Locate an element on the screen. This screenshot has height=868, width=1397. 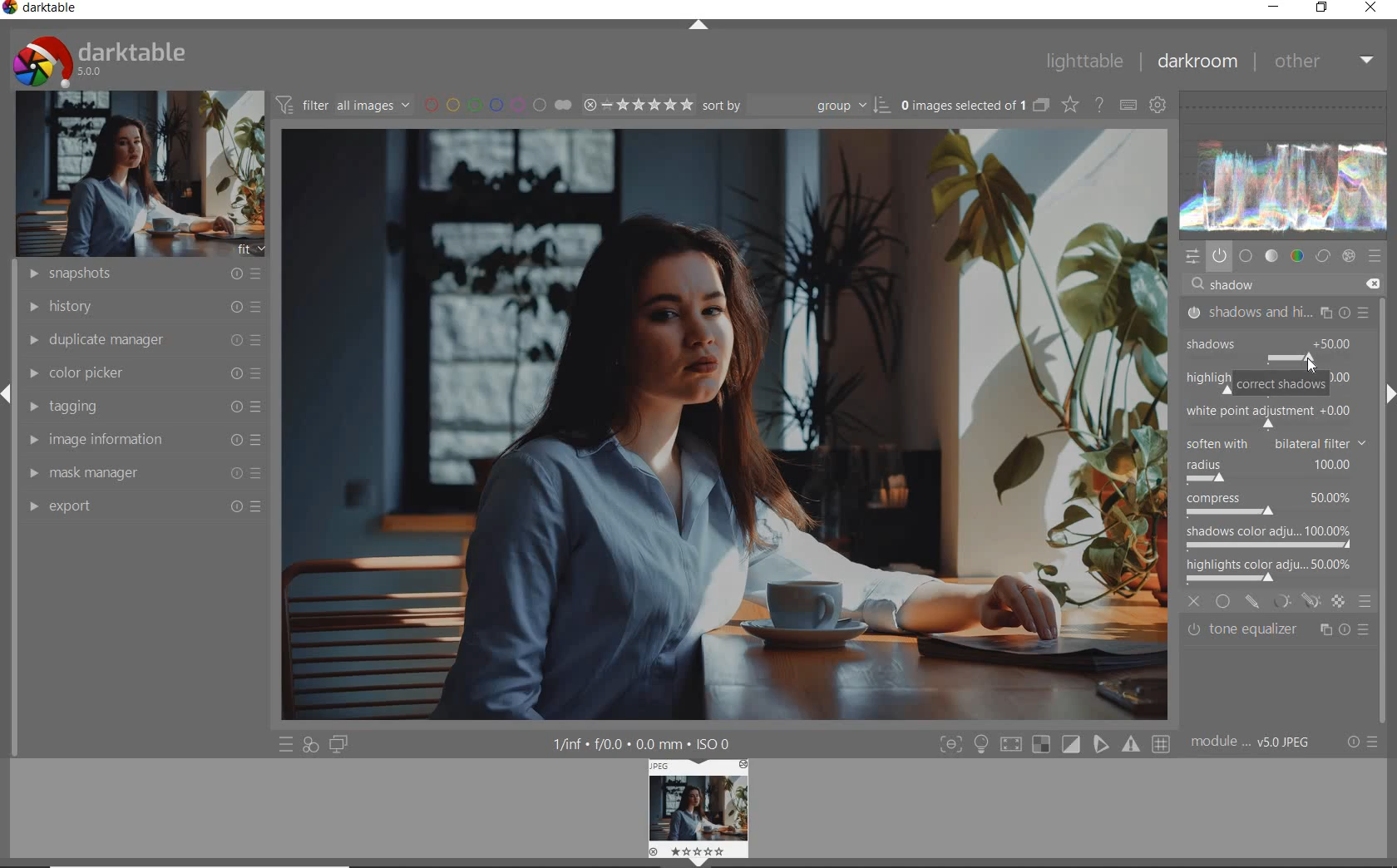
display information is located at coordinates (644, 742).